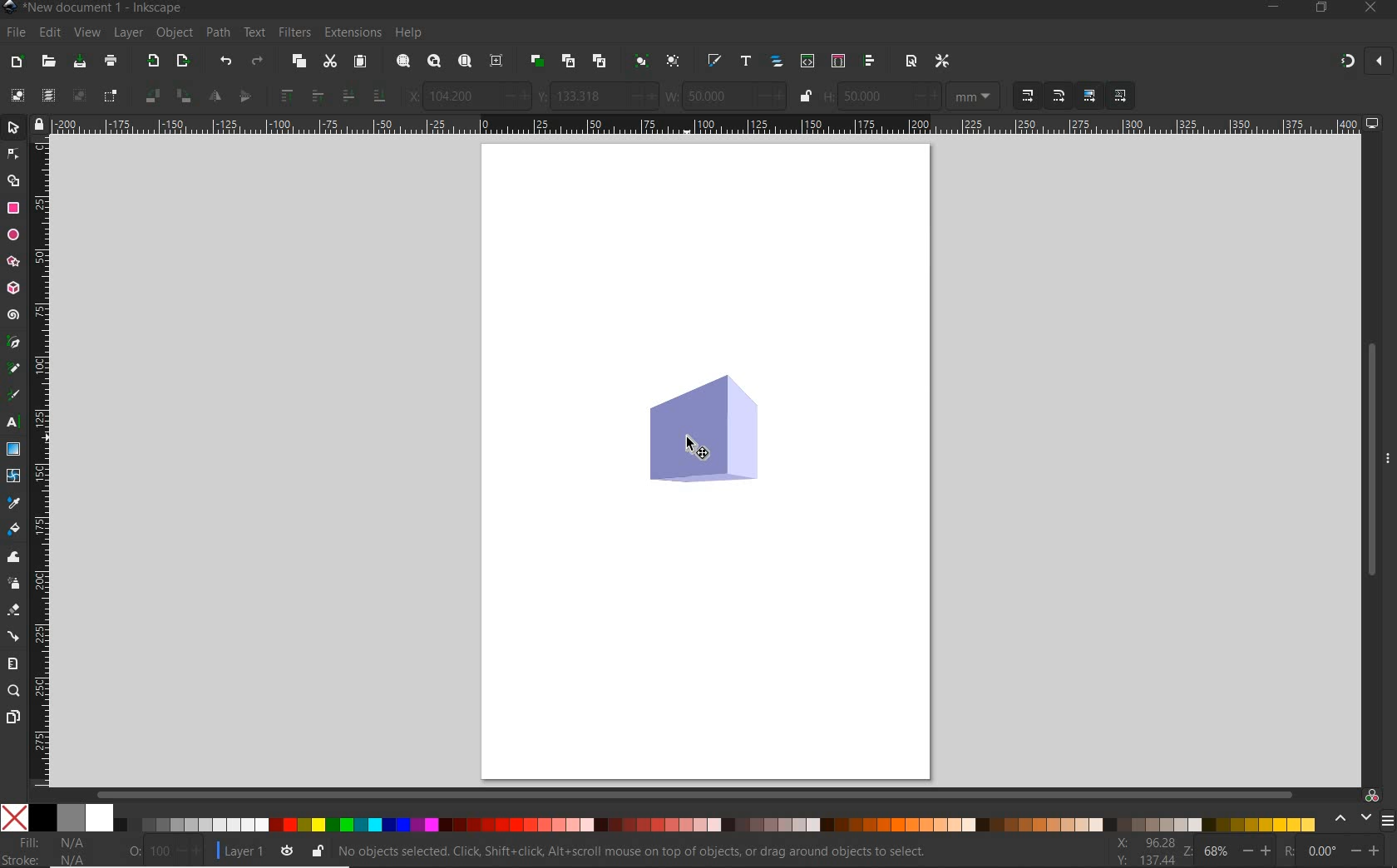  Describe the element at coordinates (15, 583) in the screenshot. I see `spray tool` at that location.